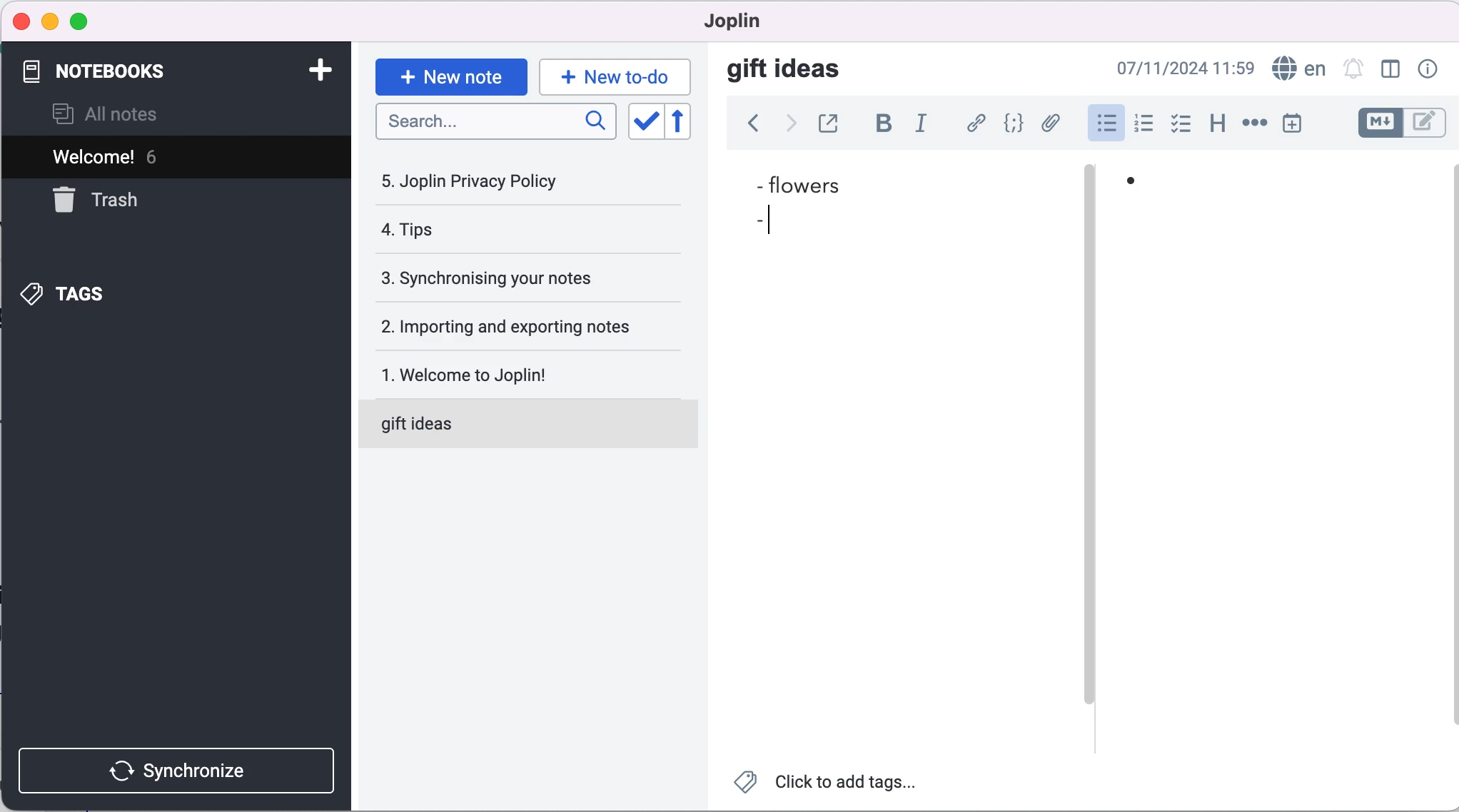 The image size is (1459, 812). What do you see at coordinates (1089, 213) in the screenshot?
I see `vertical slider` at bounding box center [1089, 213].